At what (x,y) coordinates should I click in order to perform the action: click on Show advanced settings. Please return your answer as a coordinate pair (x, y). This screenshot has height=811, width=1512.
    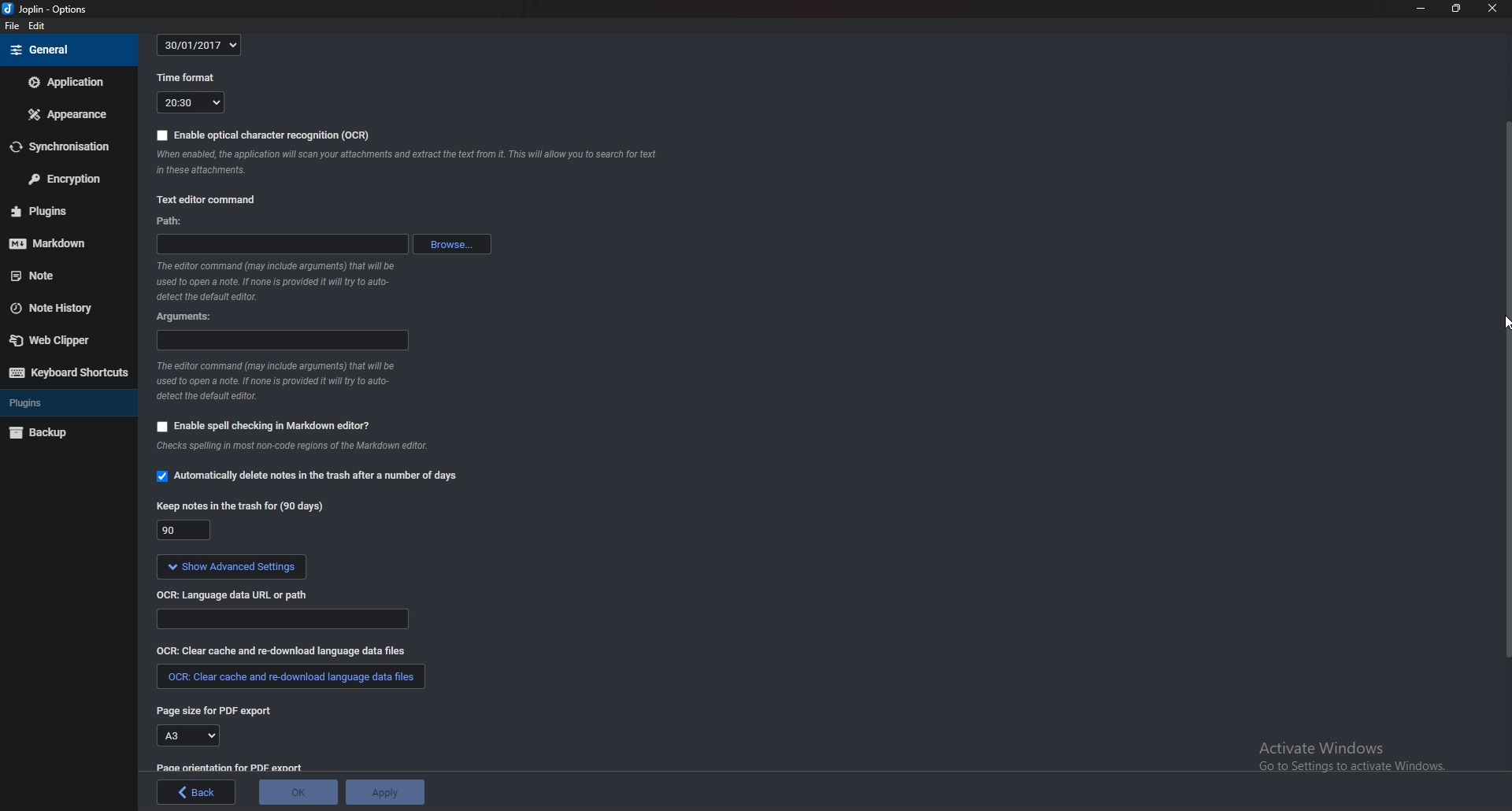
    Looking at the image, I should click on (232, 568).